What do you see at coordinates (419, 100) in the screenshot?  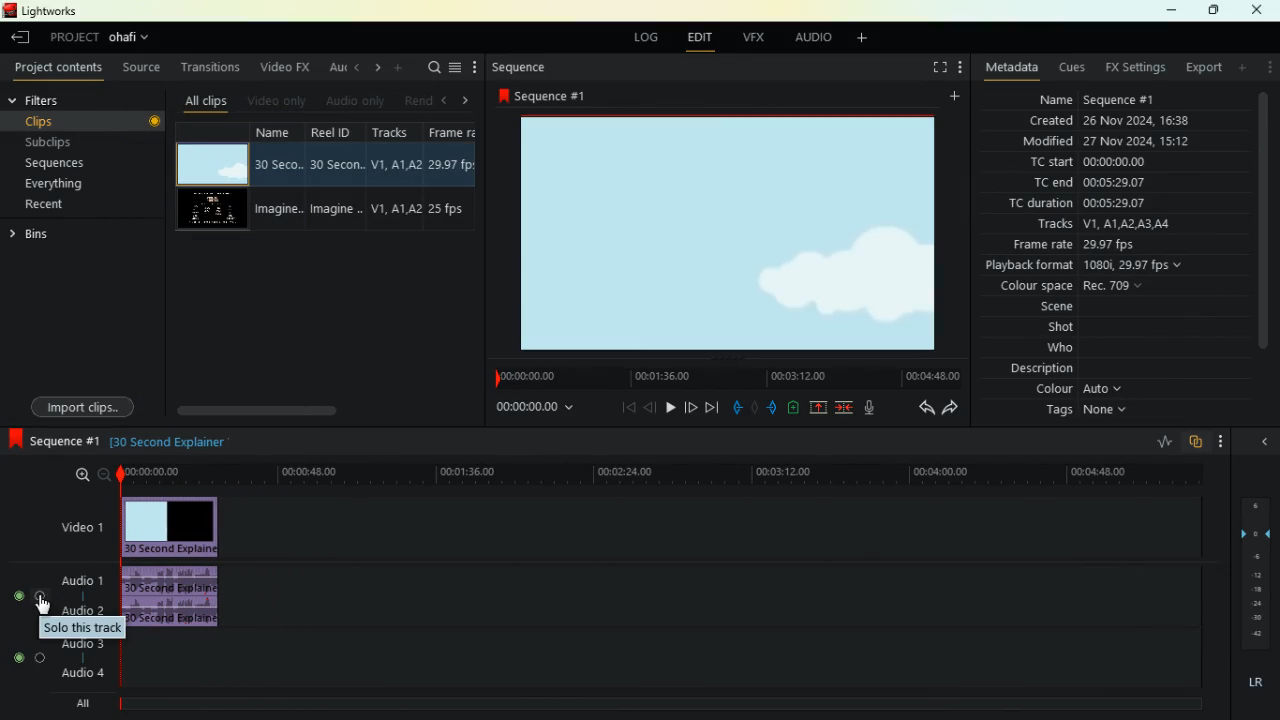 I see `rend` at bounding box center [419, 100].